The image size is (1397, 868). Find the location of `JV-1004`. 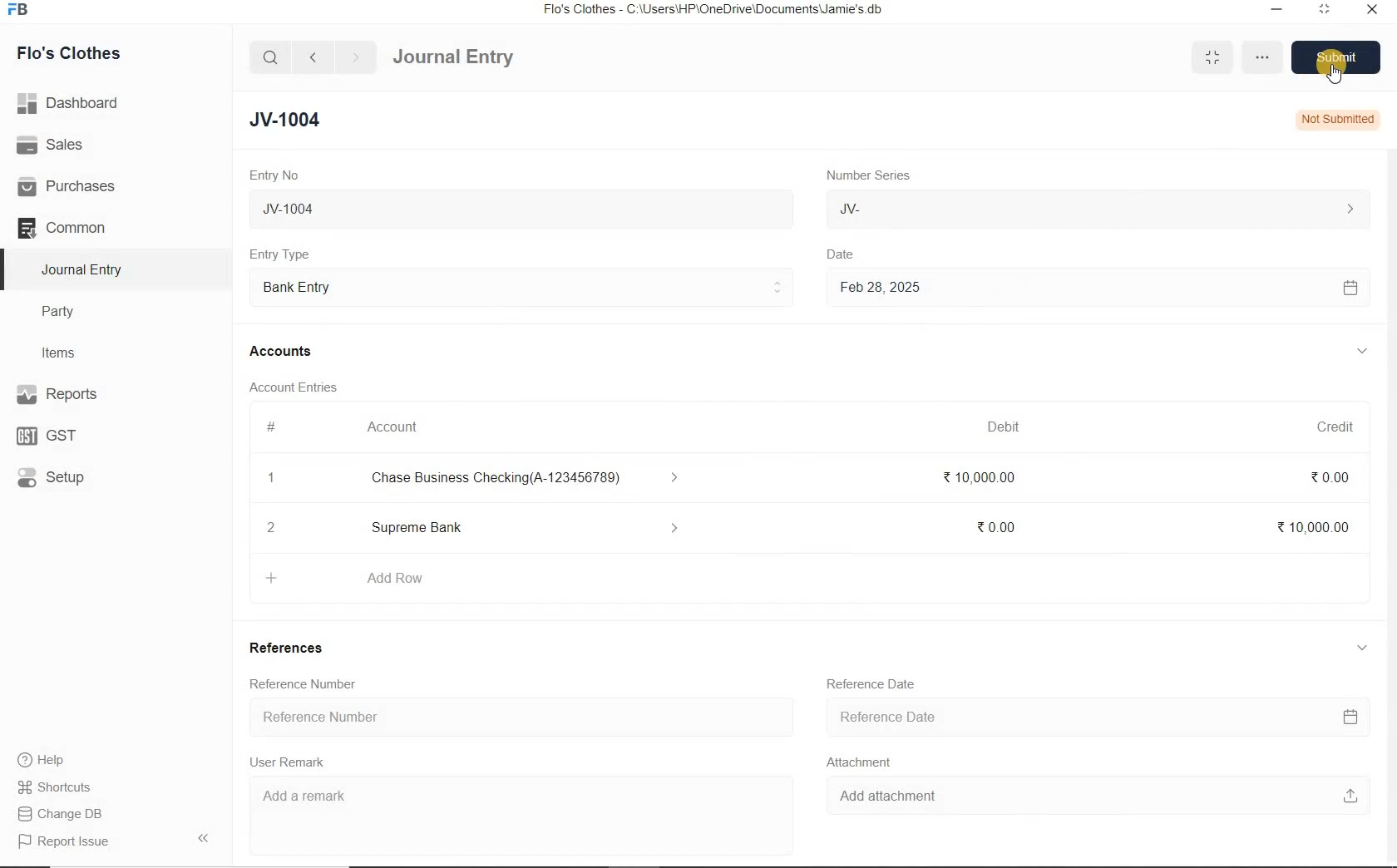

JV-1004 is located at coordinates (299, 119).